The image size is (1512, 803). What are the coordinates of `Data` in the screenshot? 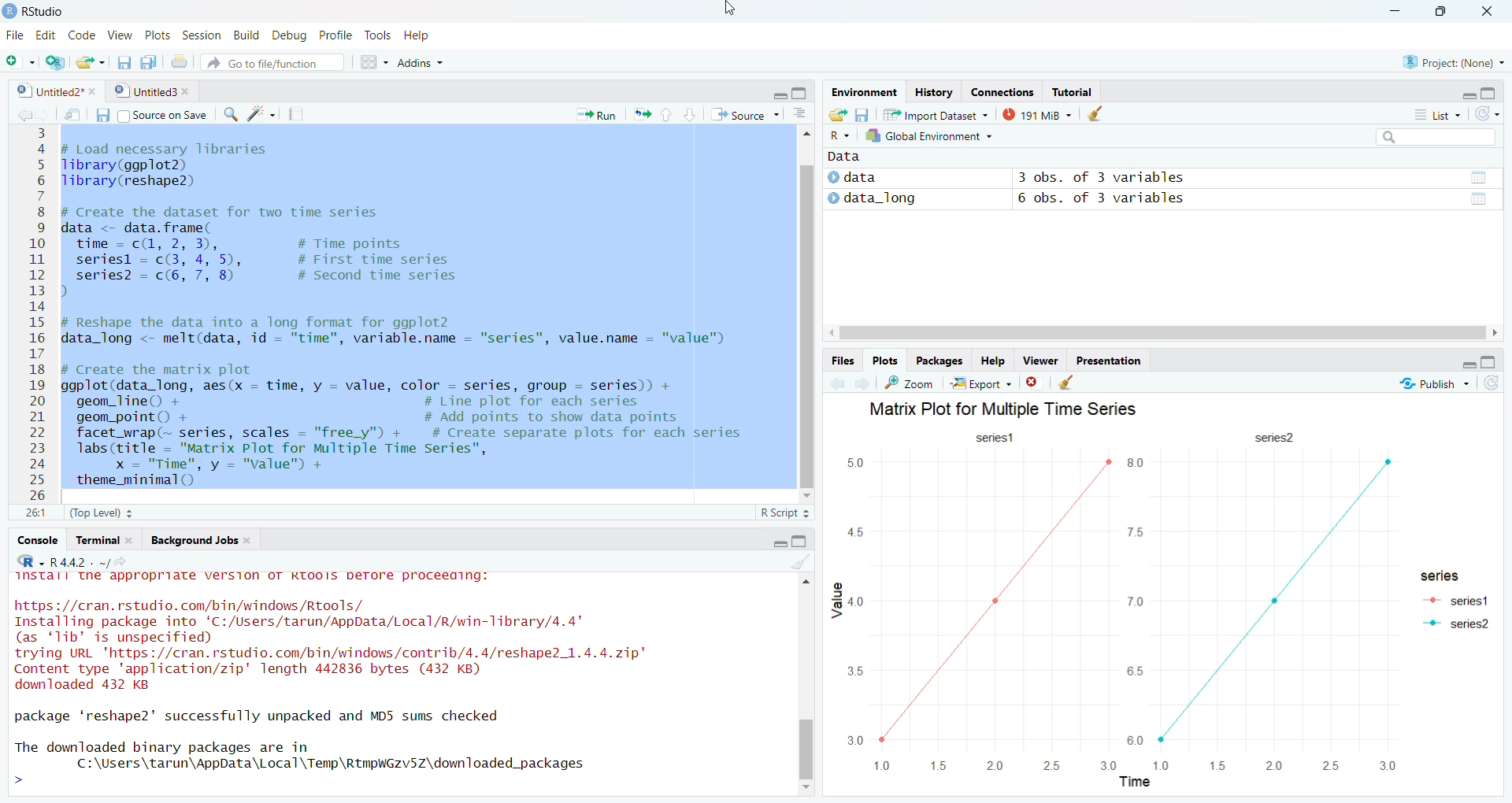 It's located at (847, 157).